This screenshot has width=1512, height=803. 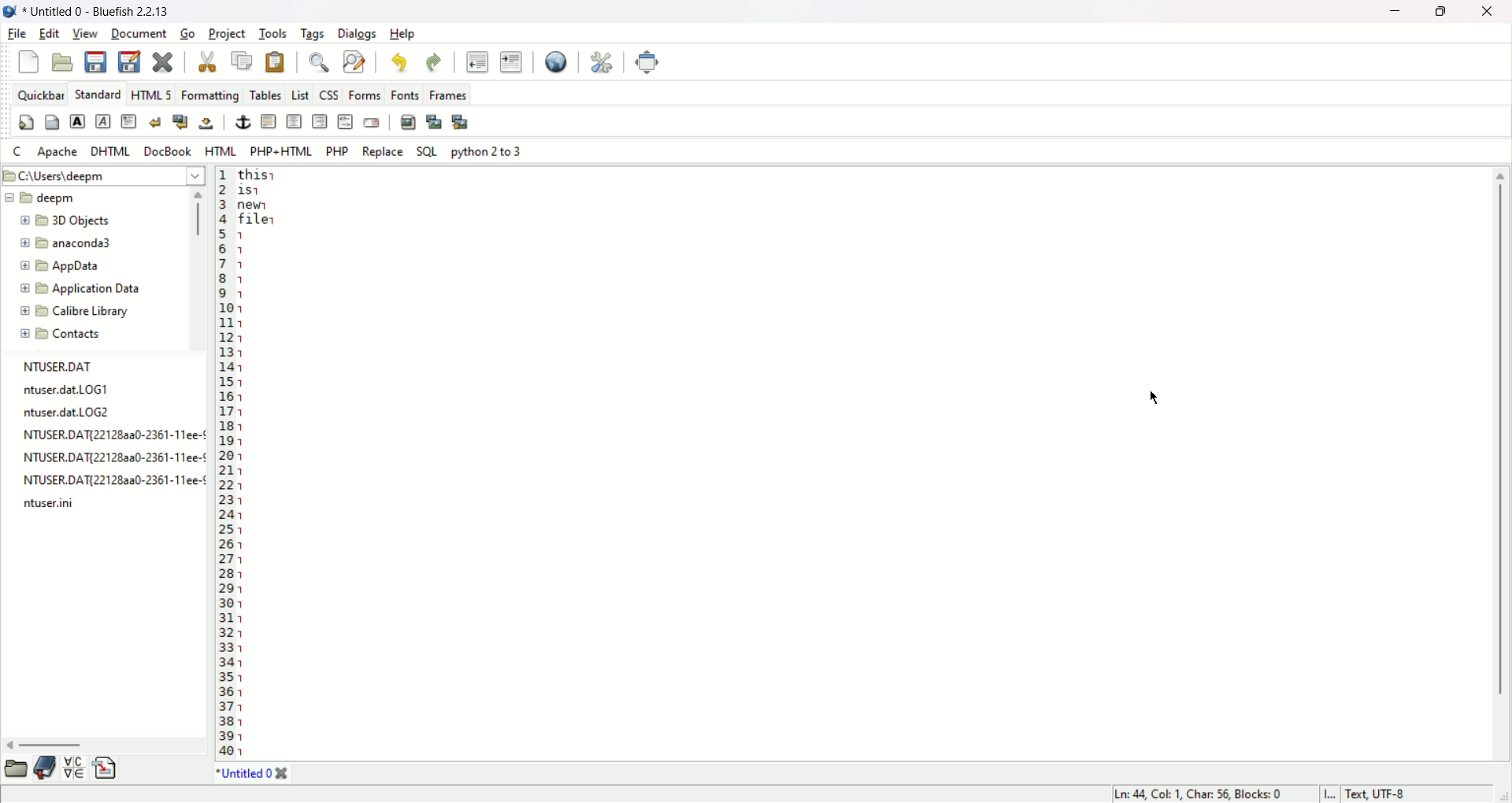 What do you see at coordinates (384, 152) in the screenshot?
I see `Replace` at bounding box center [384, 152].